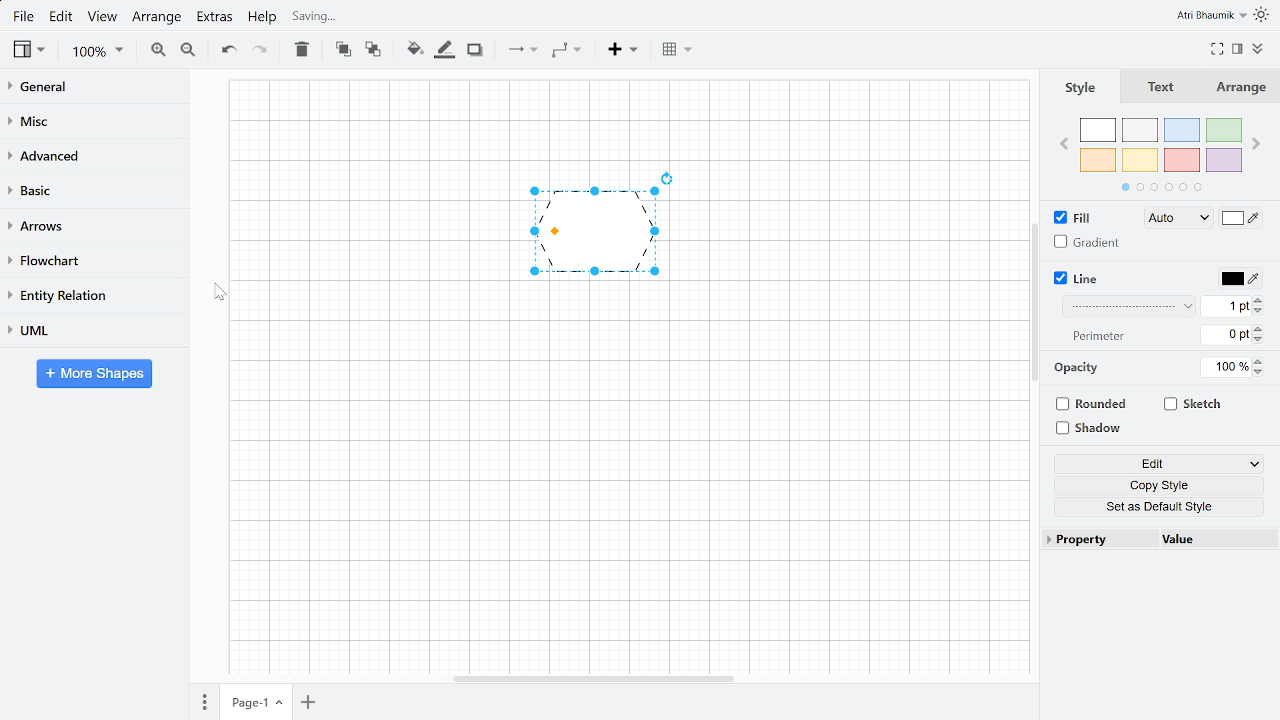 The height and width of the screenshot is (720, 1280). What do you see at coordinates (90, 224) in the screenshot?
I see ` Arrows` at bounding box center [90, 224].